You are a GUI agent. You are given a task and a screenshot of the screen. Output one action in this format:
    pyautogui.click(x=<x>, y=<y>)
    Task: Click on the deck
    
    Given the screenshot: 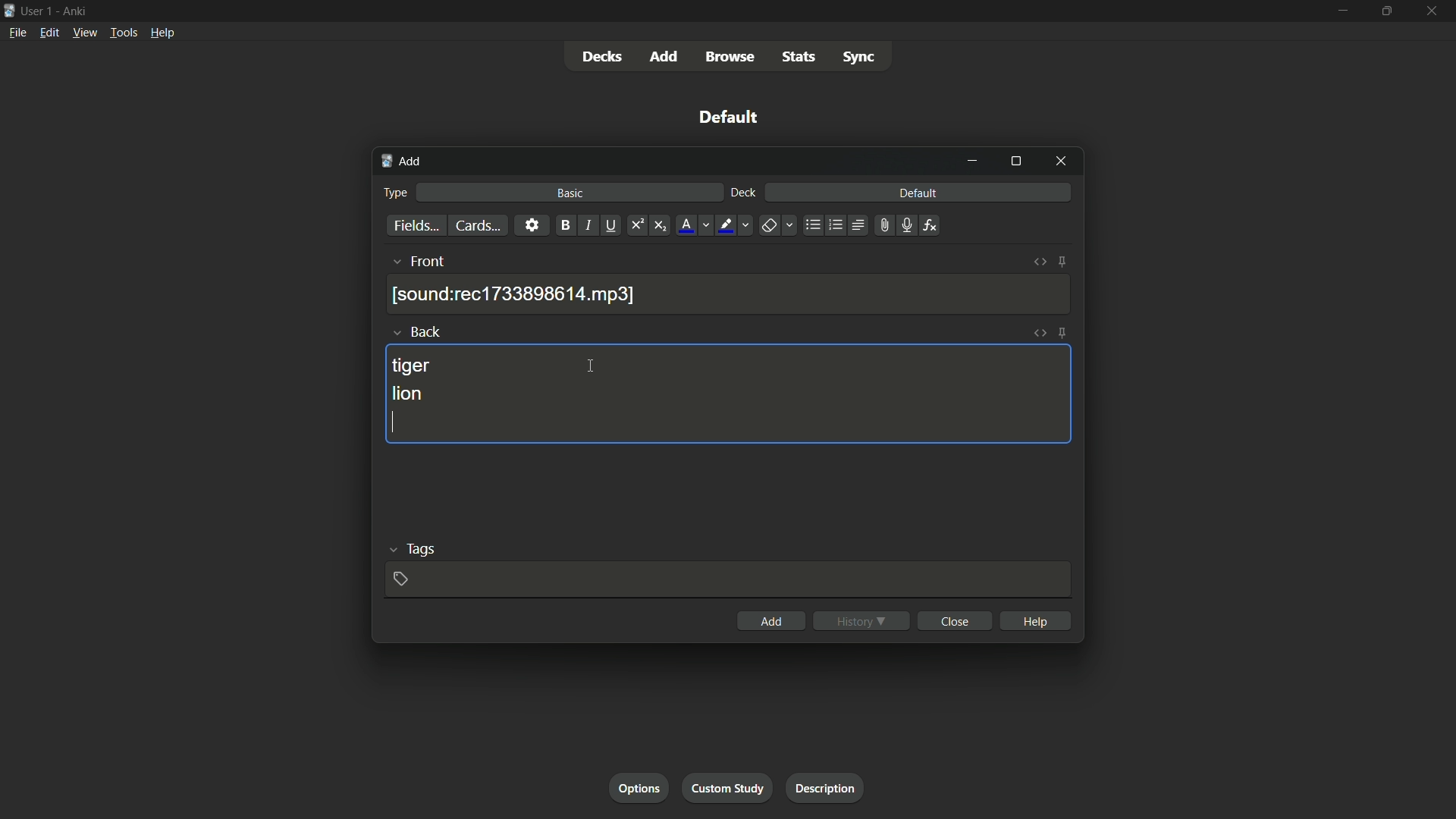 What is the action you would take?
    pyautogui.click(x=742, y=193)
    